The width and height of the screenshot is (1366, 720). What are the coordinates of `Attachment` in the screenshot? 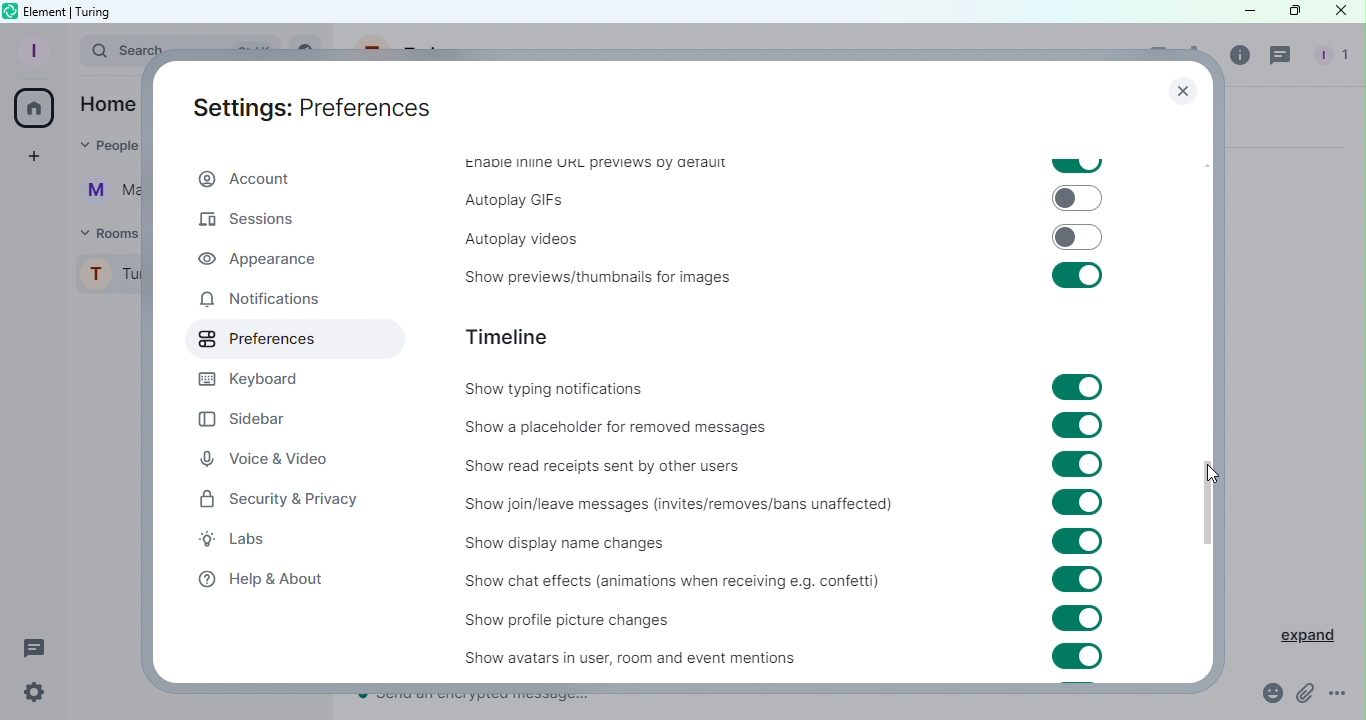 It's located at (1305, 695).